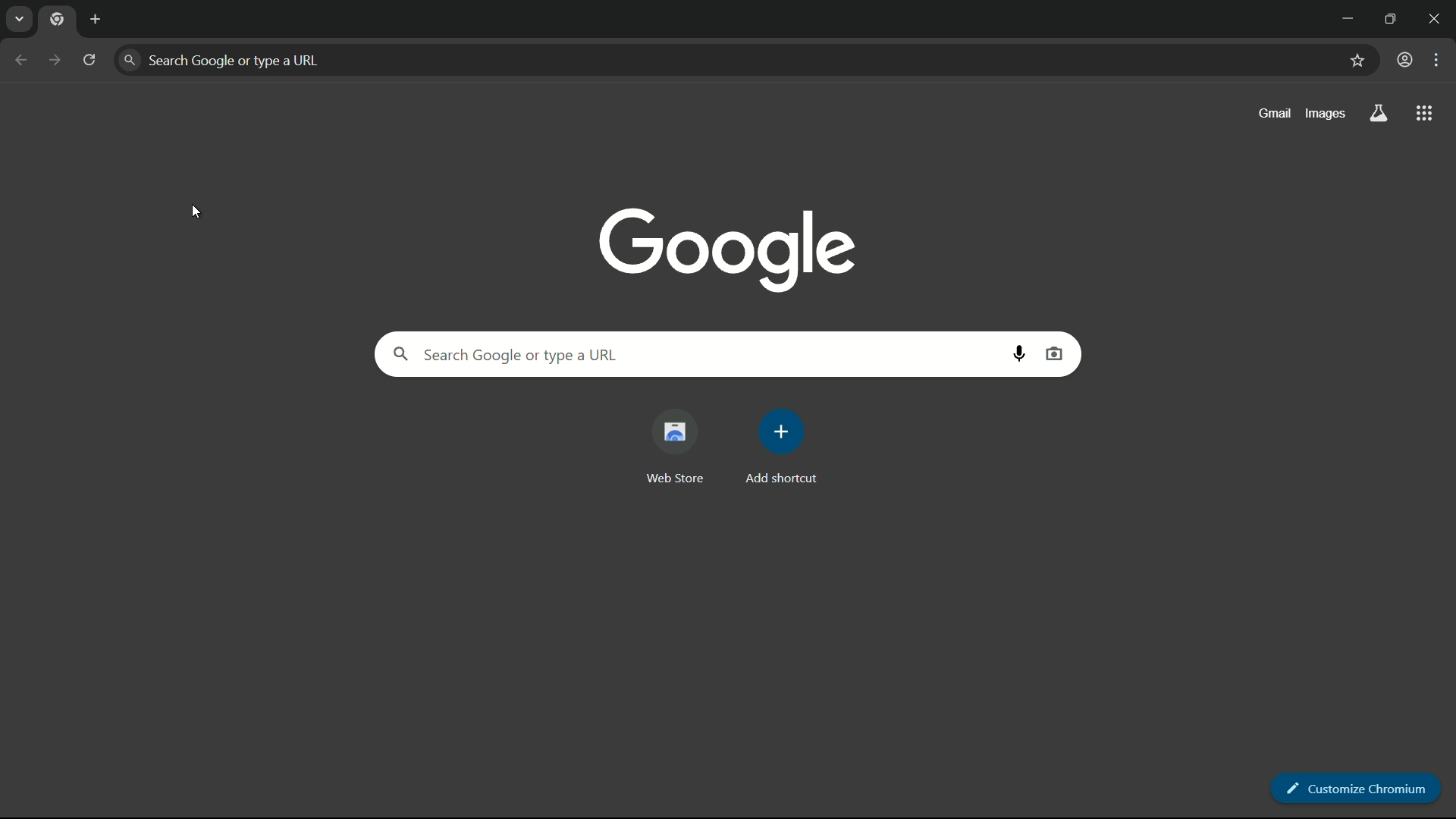 The height and width of the screenshot is (819, 1456). Describe the element at coordinates (723, 247) in the screenshot. I see `google thumbnail` at that location.